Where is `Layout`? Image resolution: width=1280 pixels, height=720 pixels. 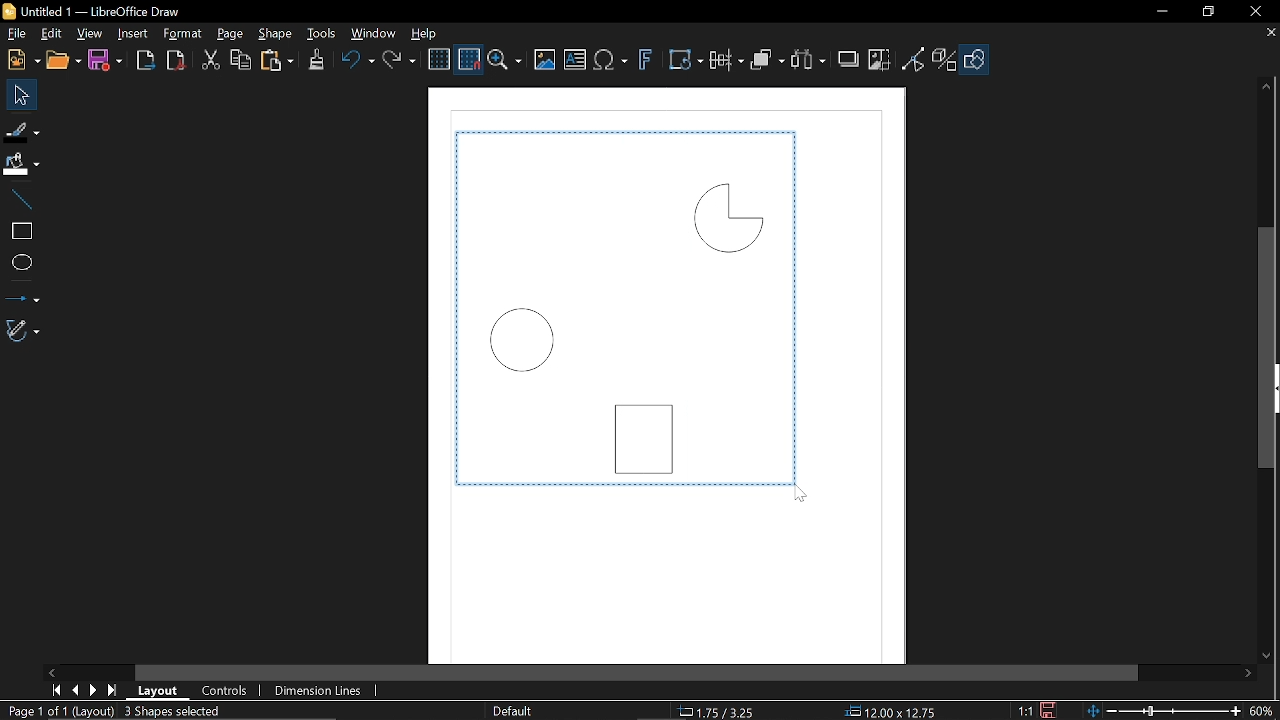 Layout is located at coordinates (158, 691).